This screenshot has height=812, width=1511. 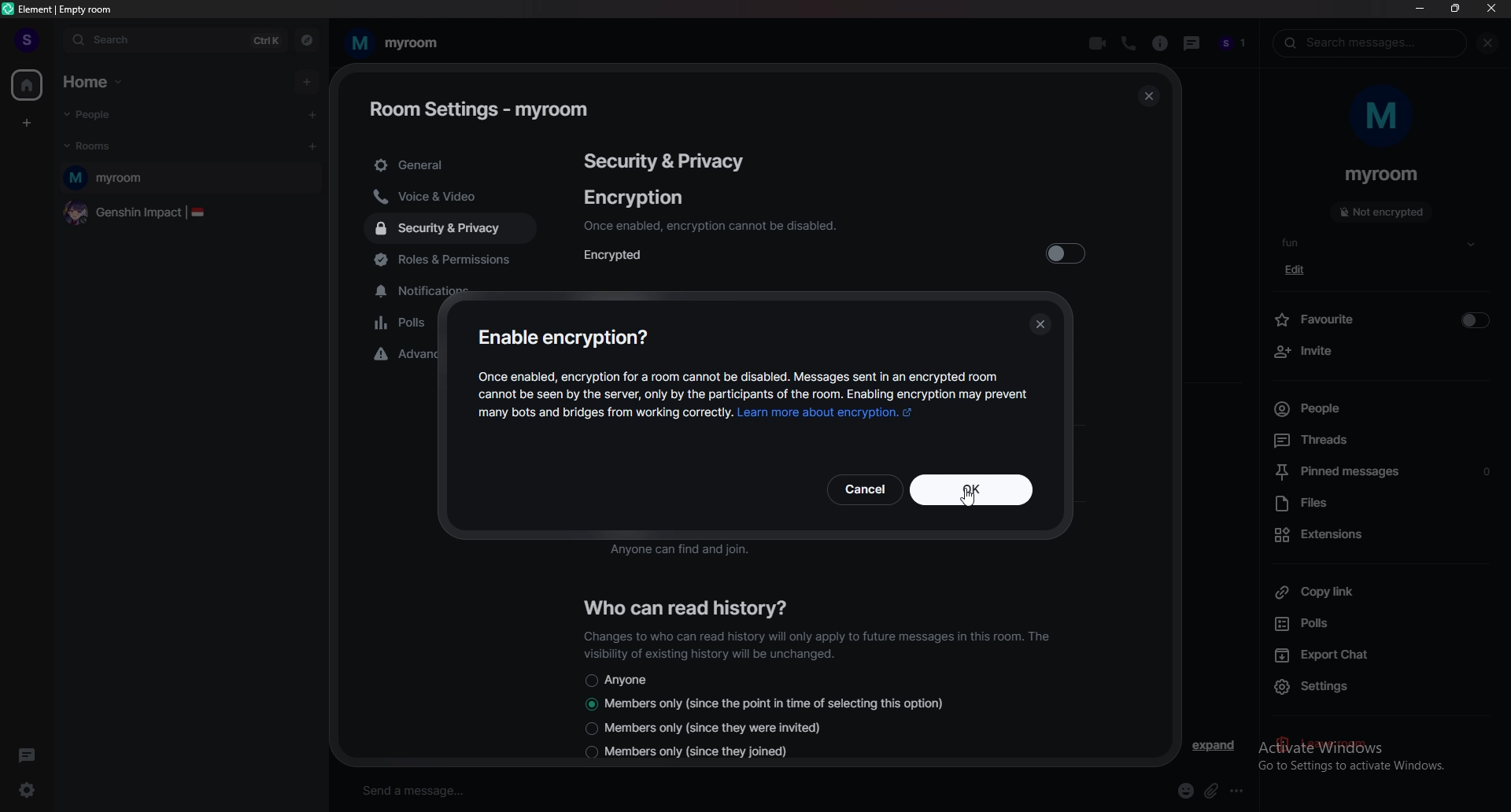 What do you see at coordinates (312, 147) in the screenshot?
I see `add room` at bounding box center [312, 147].